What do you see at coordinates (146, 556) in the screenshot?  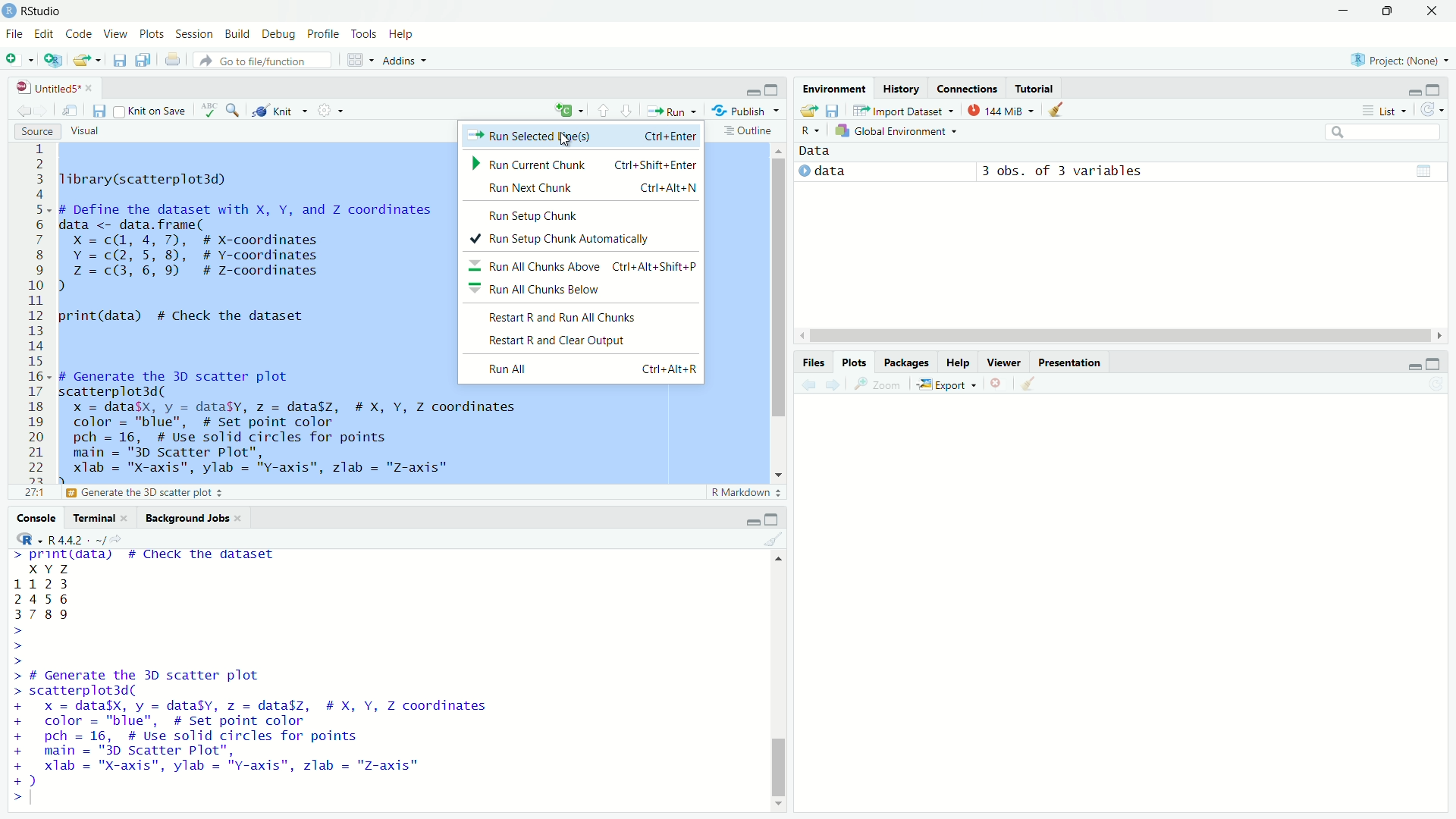 I see `> print(data) # Check the dataset` at bounding box center [146, 556].